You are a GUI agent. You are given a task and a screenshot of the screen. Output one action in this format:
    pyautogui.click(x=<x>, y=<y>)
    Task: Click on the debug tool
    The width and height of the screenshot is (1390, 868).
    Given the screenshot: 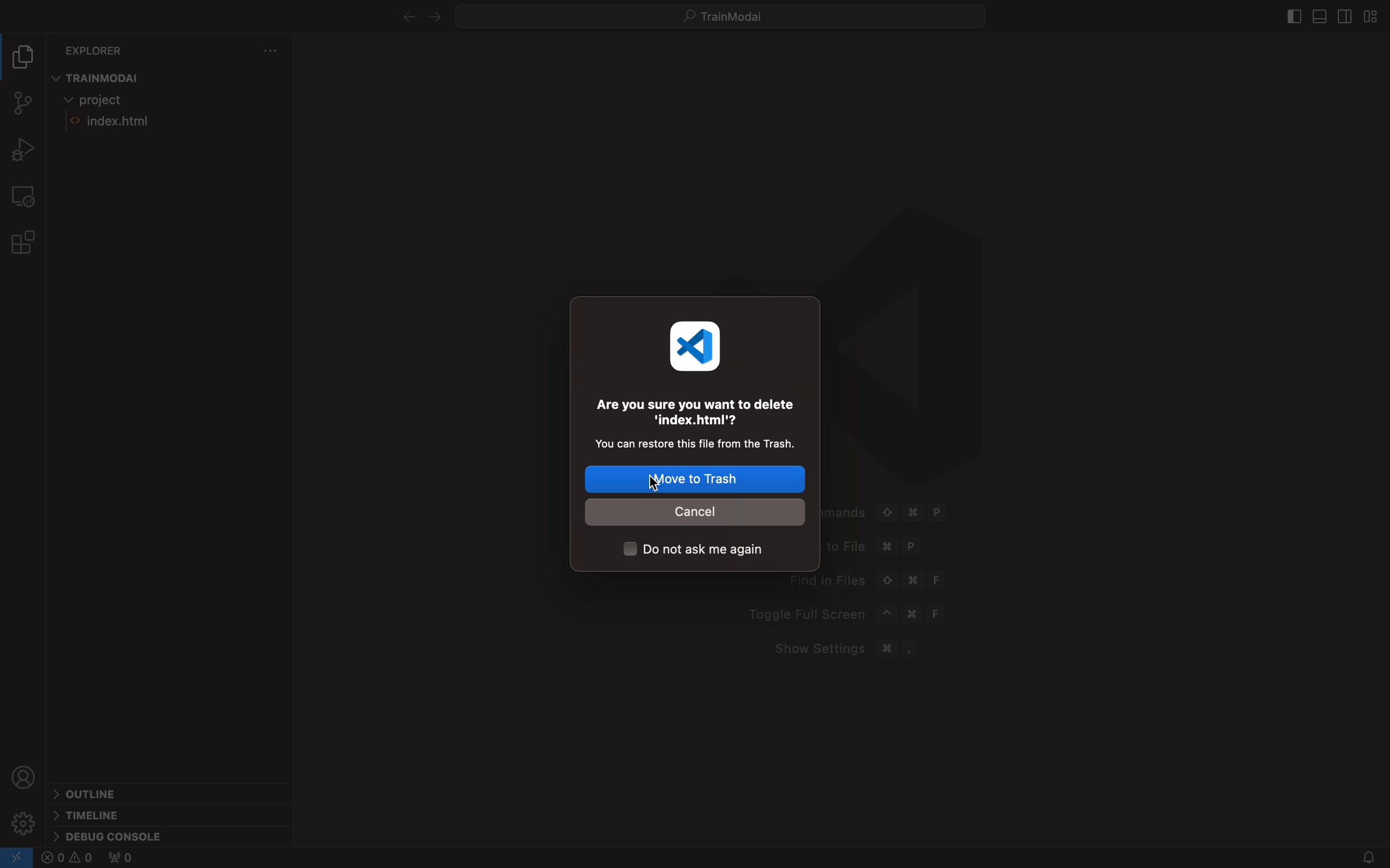 What is the action you would take?
    pyautogui.click(x=25, y=150)
    